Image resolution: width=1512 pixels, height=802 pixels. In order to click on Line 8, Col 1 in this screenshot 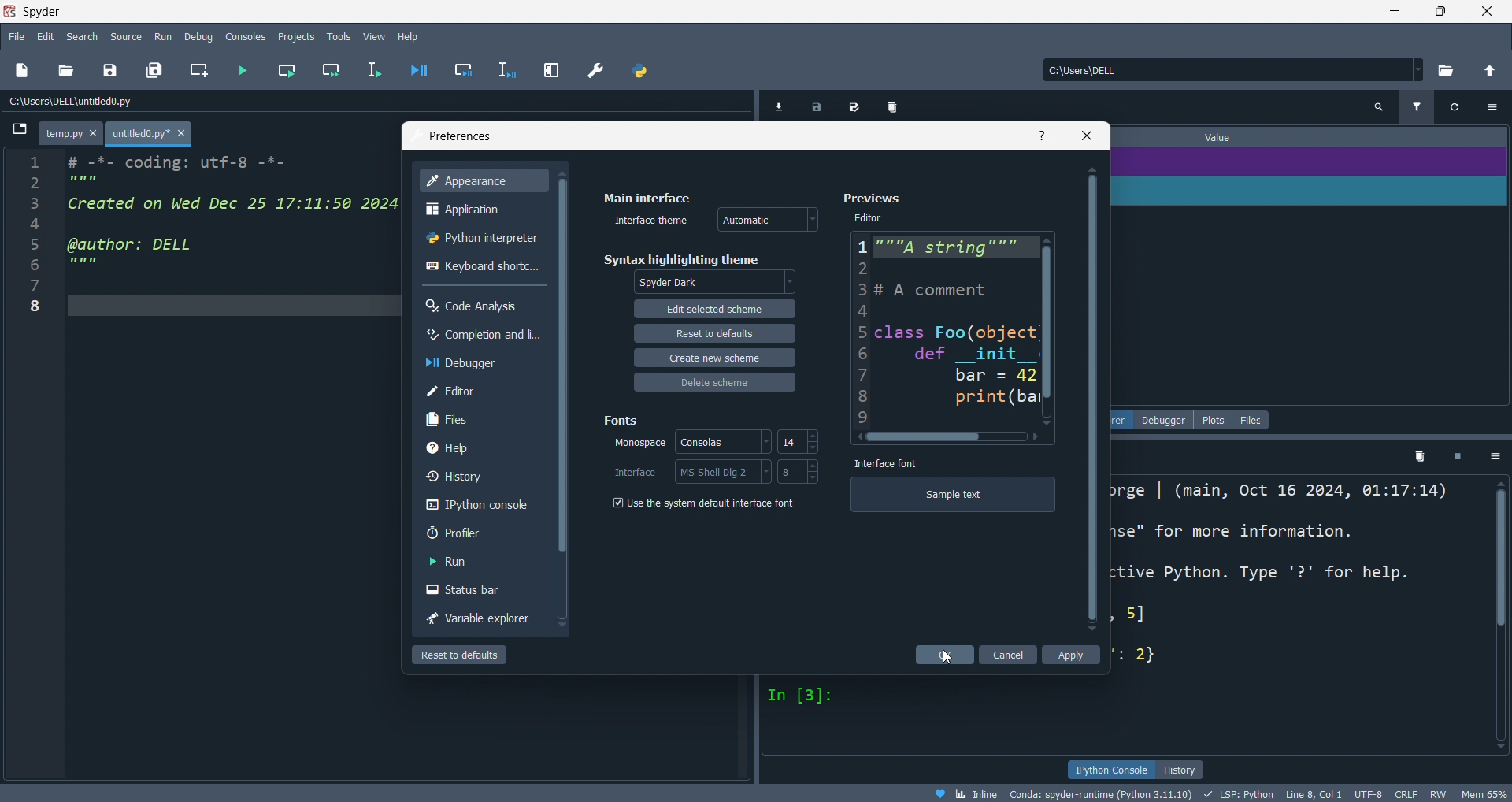, I will do `click(1319, 793)`.